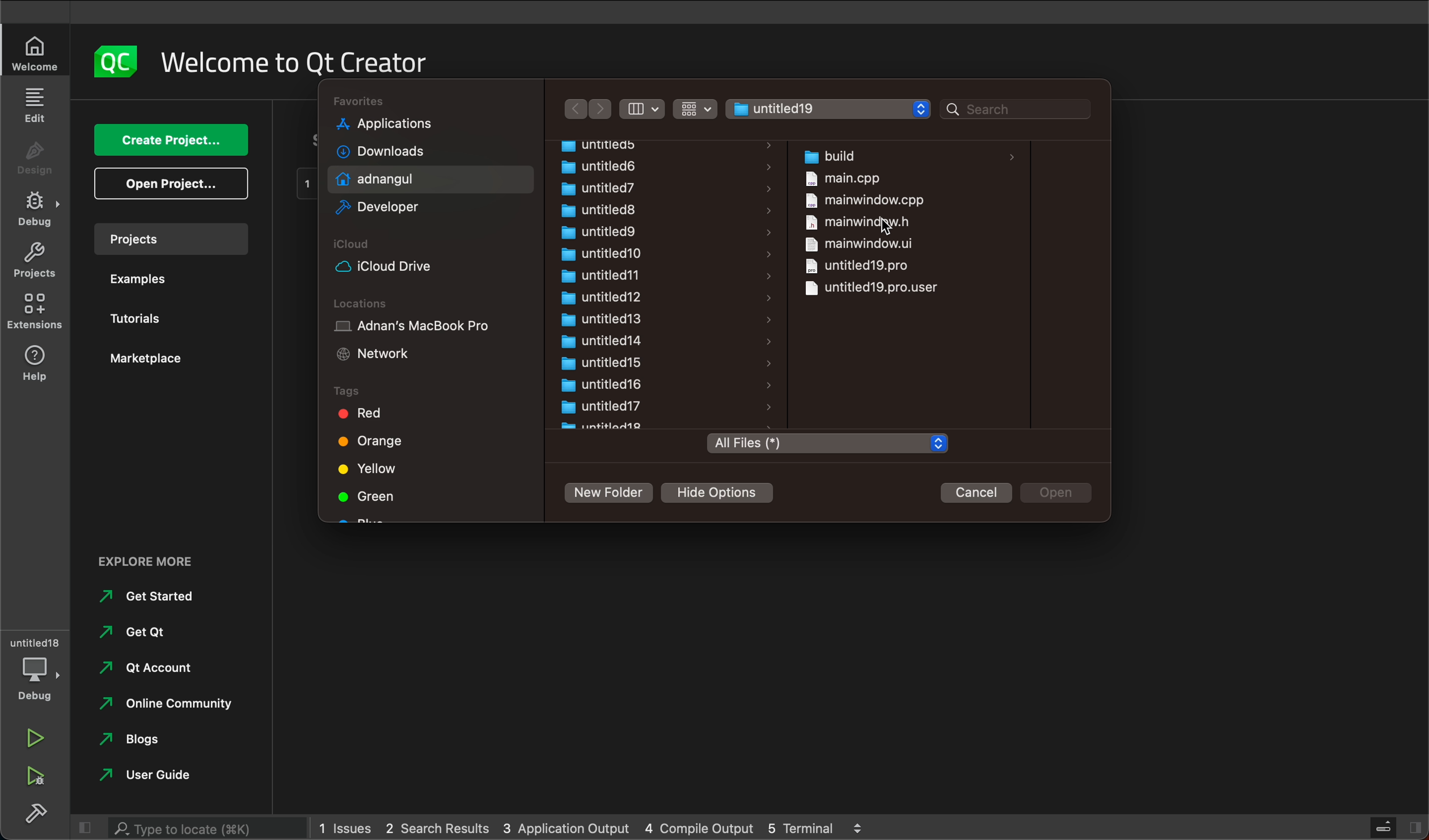  What do you see at coordinates (603, 254) in the screenshot?
I see `untitled10` at bounding box center [603, 254].